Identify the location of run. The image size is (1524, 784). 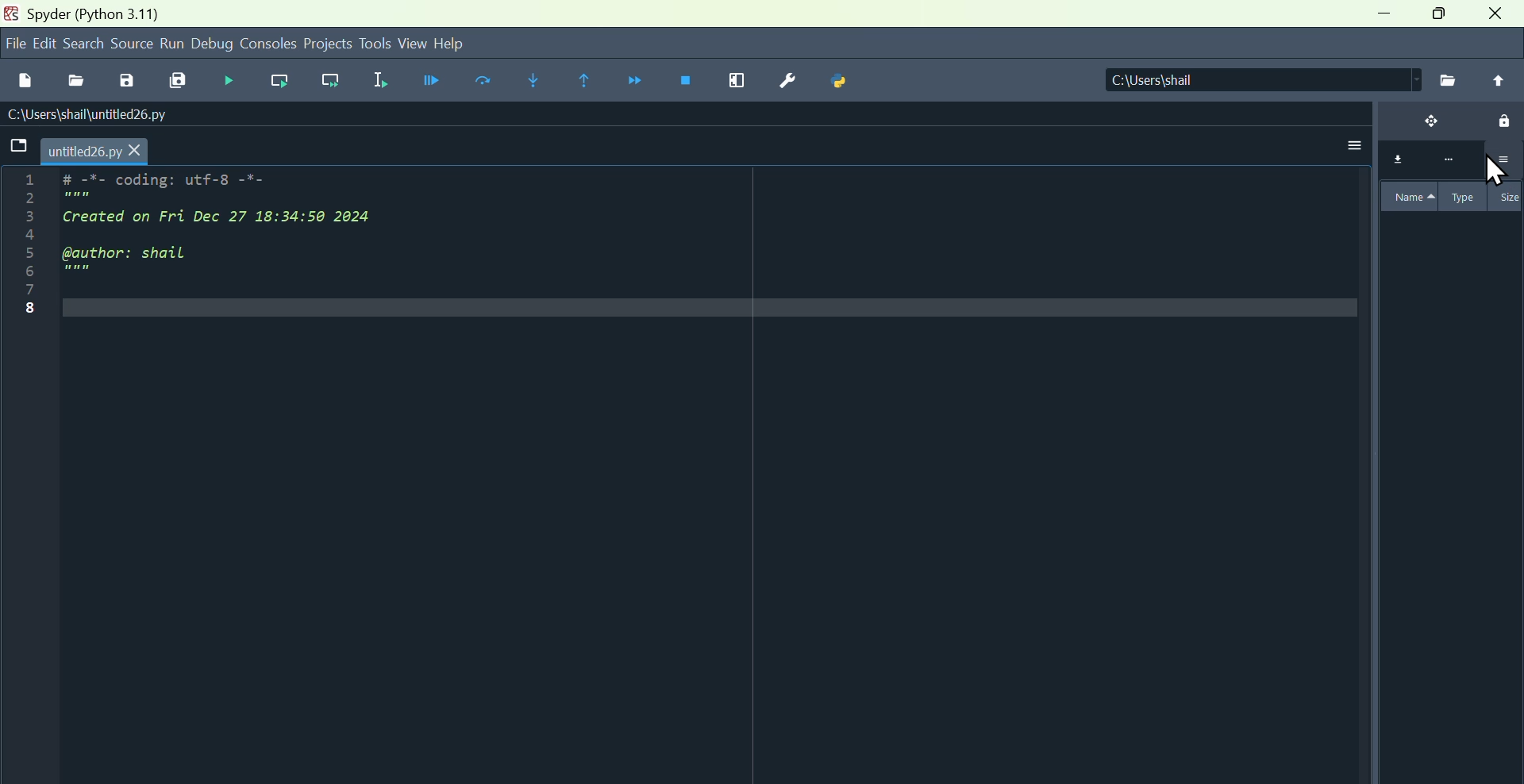
(172, 44).